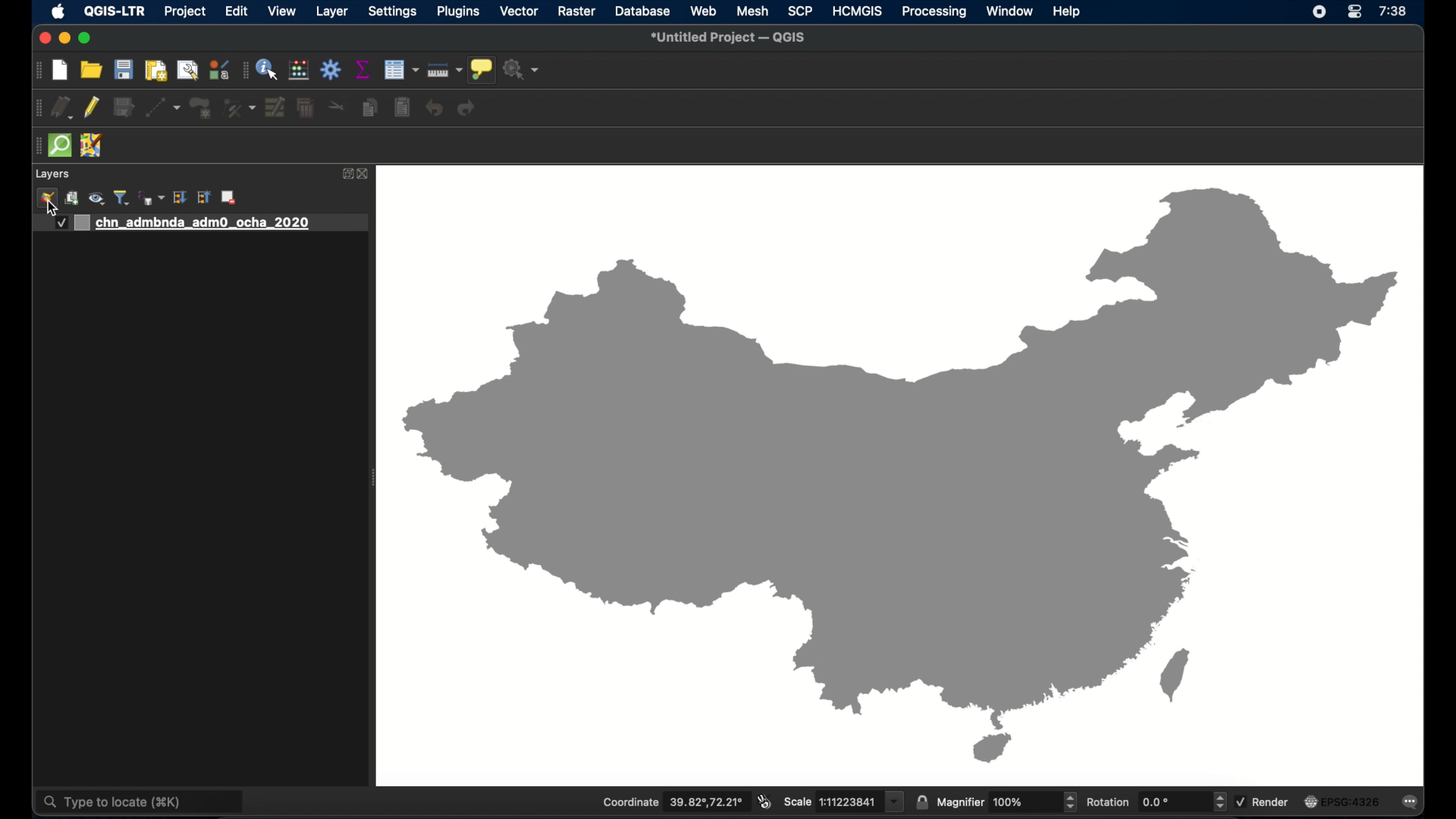 This screenshot has width=1456, height=819. What do you see at coordinates (140, 803) in the screenshot?
I see `type to locate` at bounding box center [140, 803].